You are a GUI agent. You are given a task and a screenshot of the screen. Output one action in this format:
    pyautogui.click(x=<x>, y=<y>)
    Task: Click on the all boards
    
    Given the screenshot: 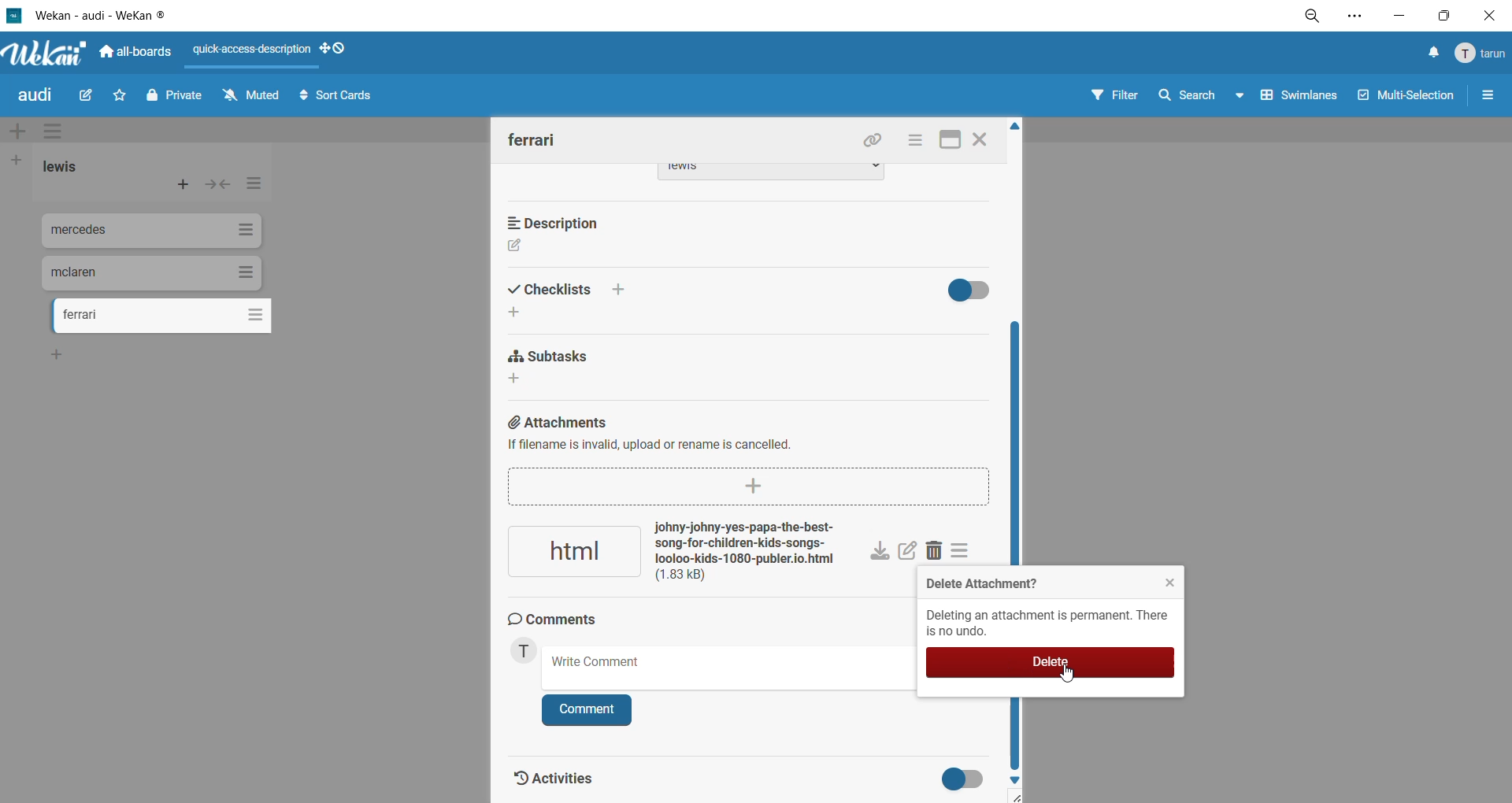 What is the action you would take?
    pyautogui.click(x=135, y=53)
    